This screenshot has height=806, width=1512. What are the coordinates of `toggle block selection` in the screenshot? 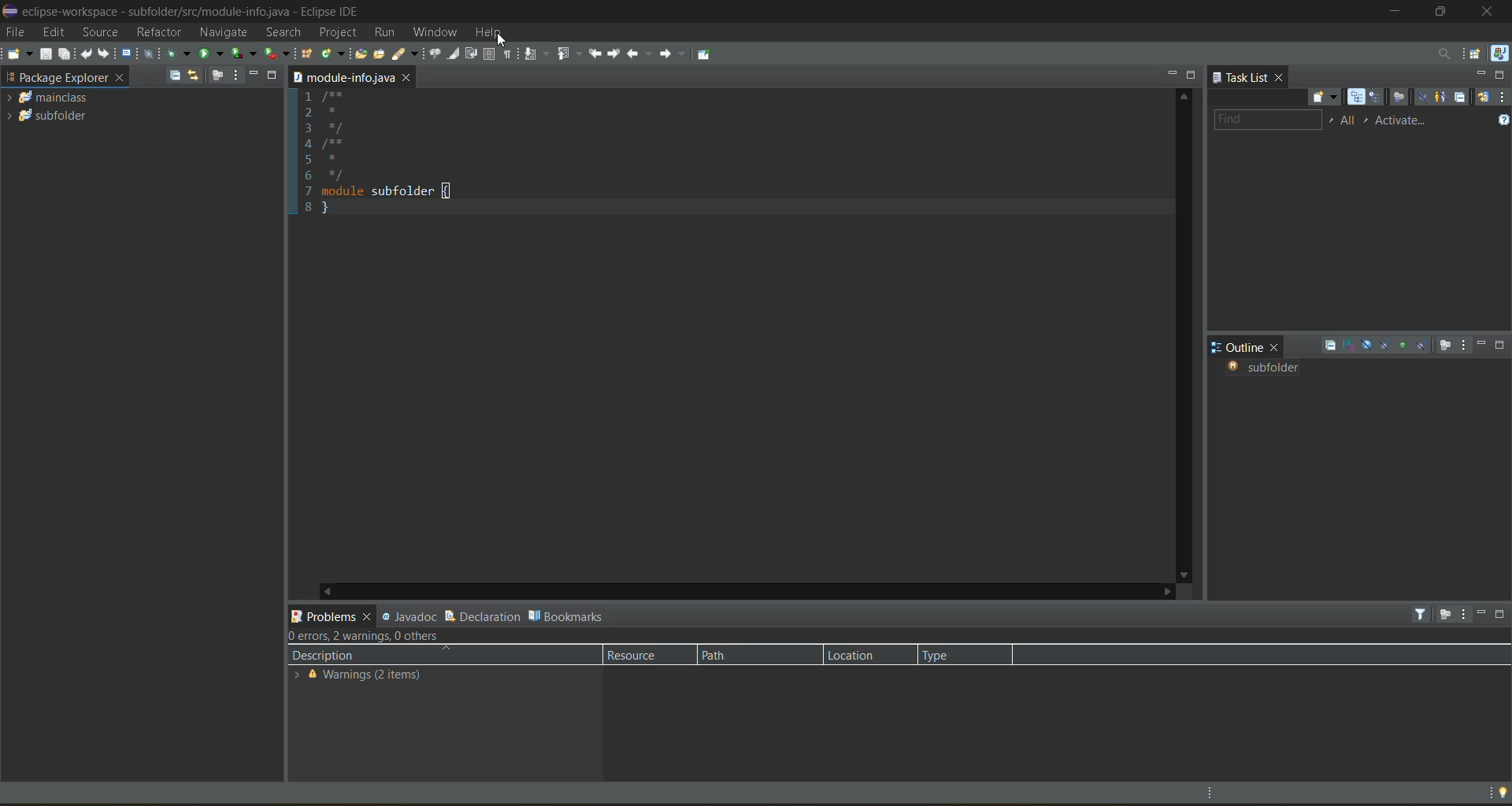 It's located at (493, 55).